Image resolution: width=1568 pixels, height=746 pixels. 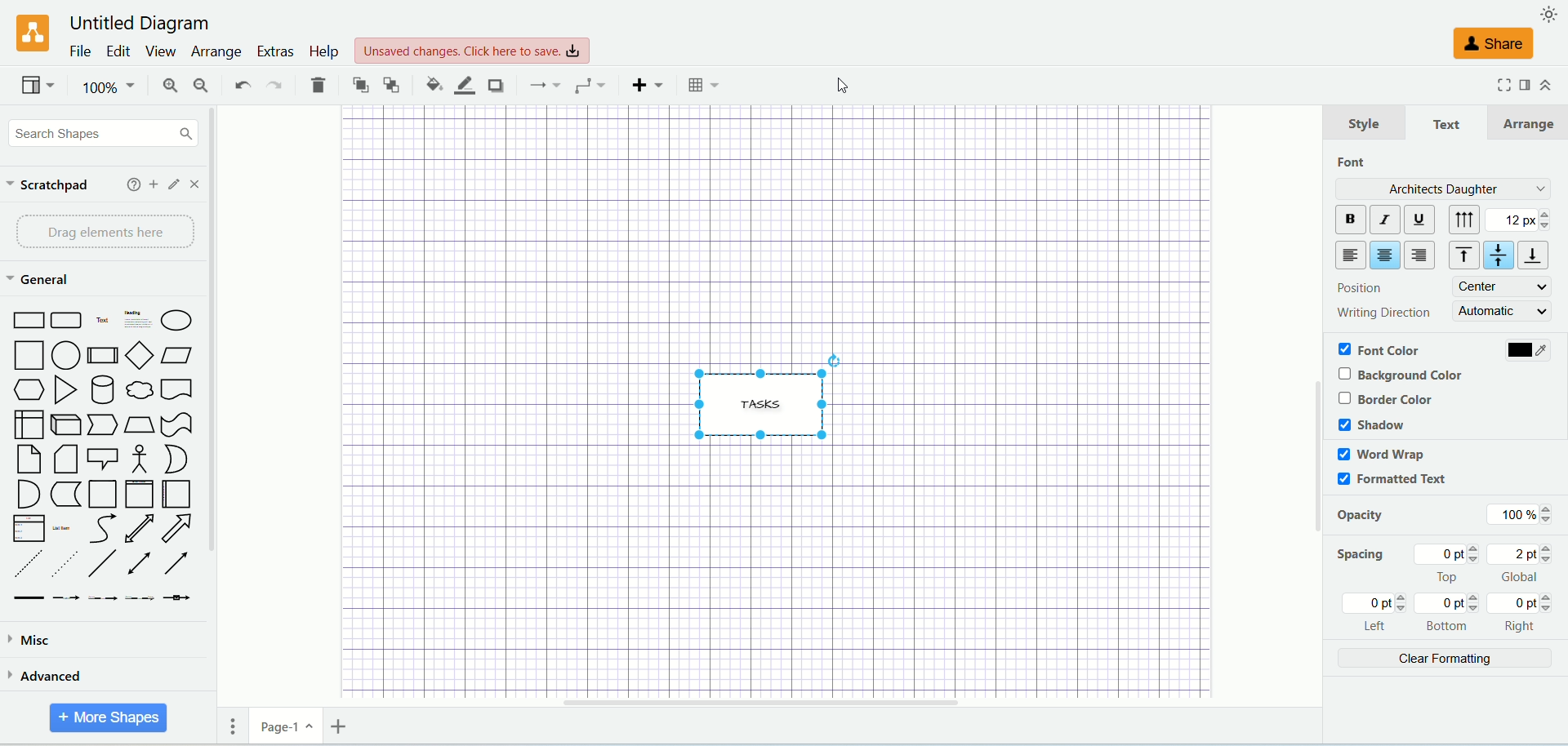 I want to click on help, so click(x=322, y=53).